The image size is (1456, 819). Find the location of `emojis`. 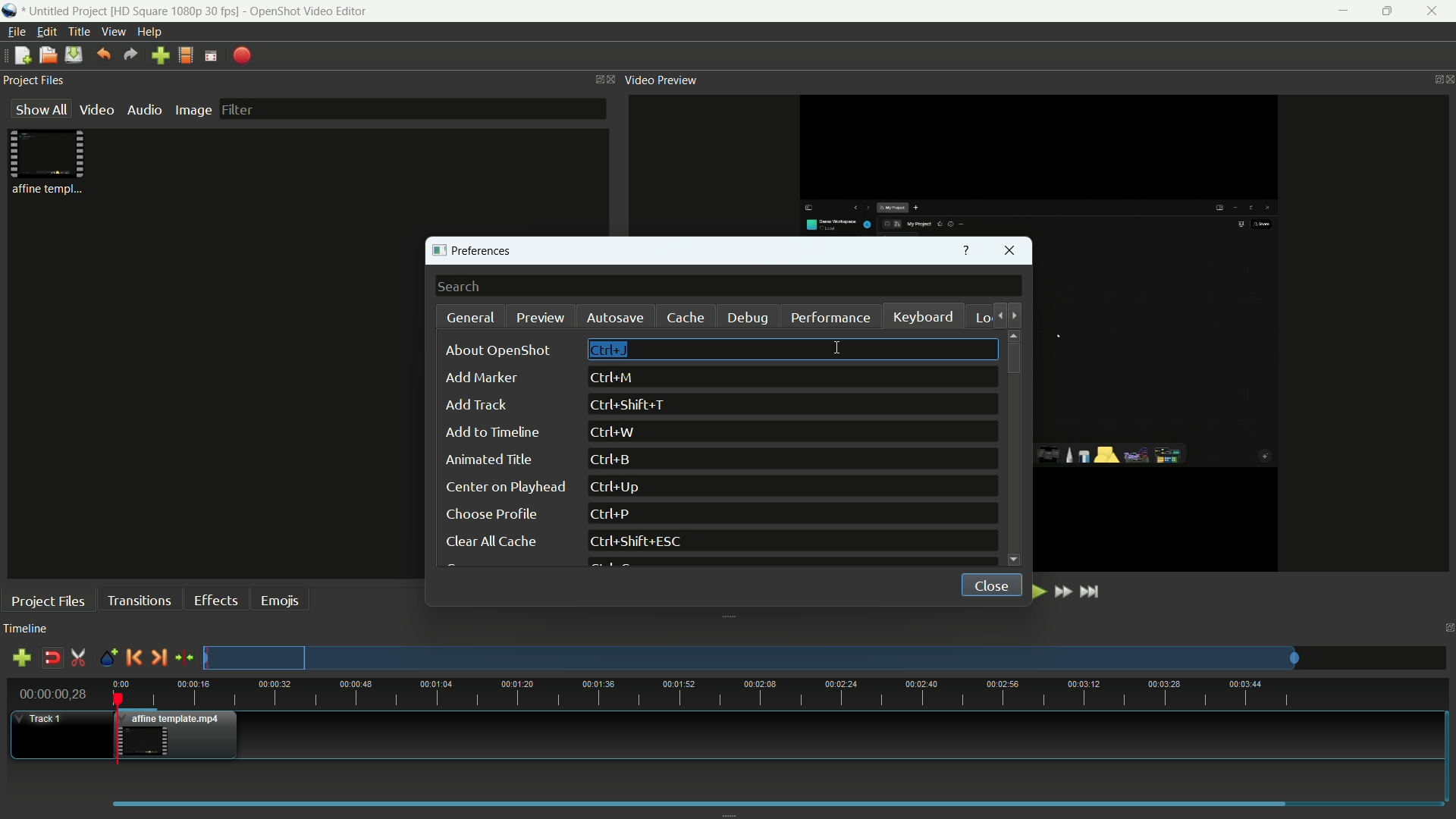

emojis is located at coordinates (281, 599).